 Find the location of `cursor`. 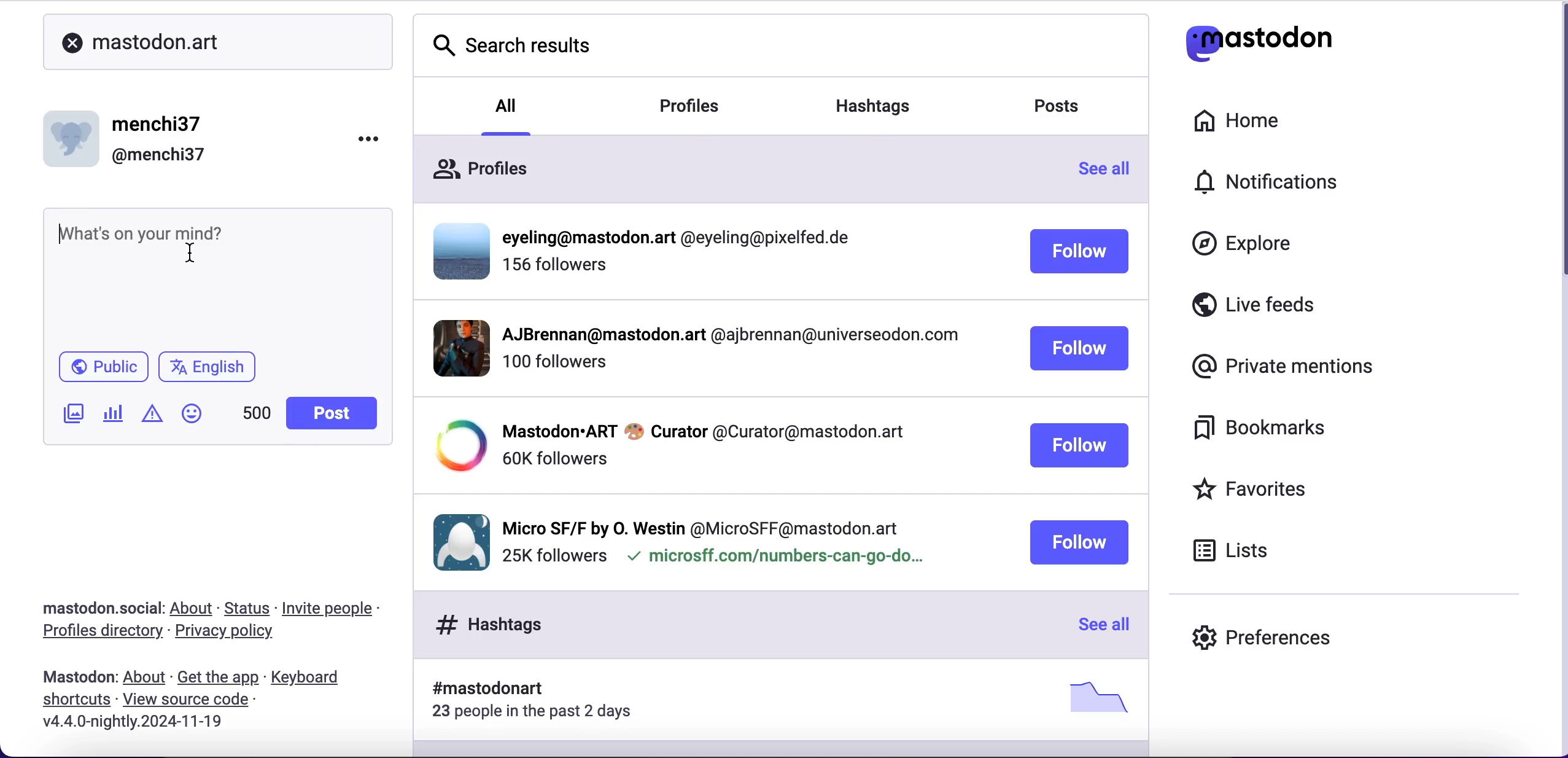

cursor is located at coordinates (187, 254).